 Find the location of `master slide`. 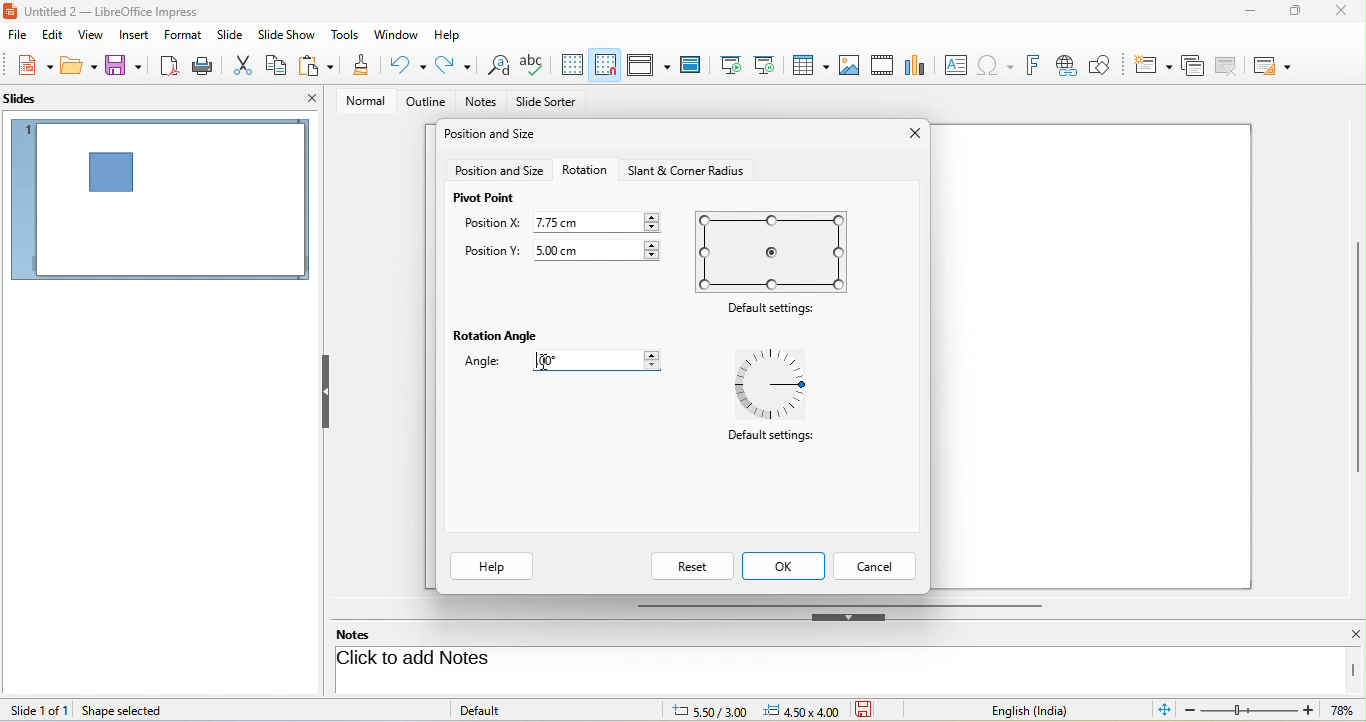

master slide is located at coordinates (695, 65).